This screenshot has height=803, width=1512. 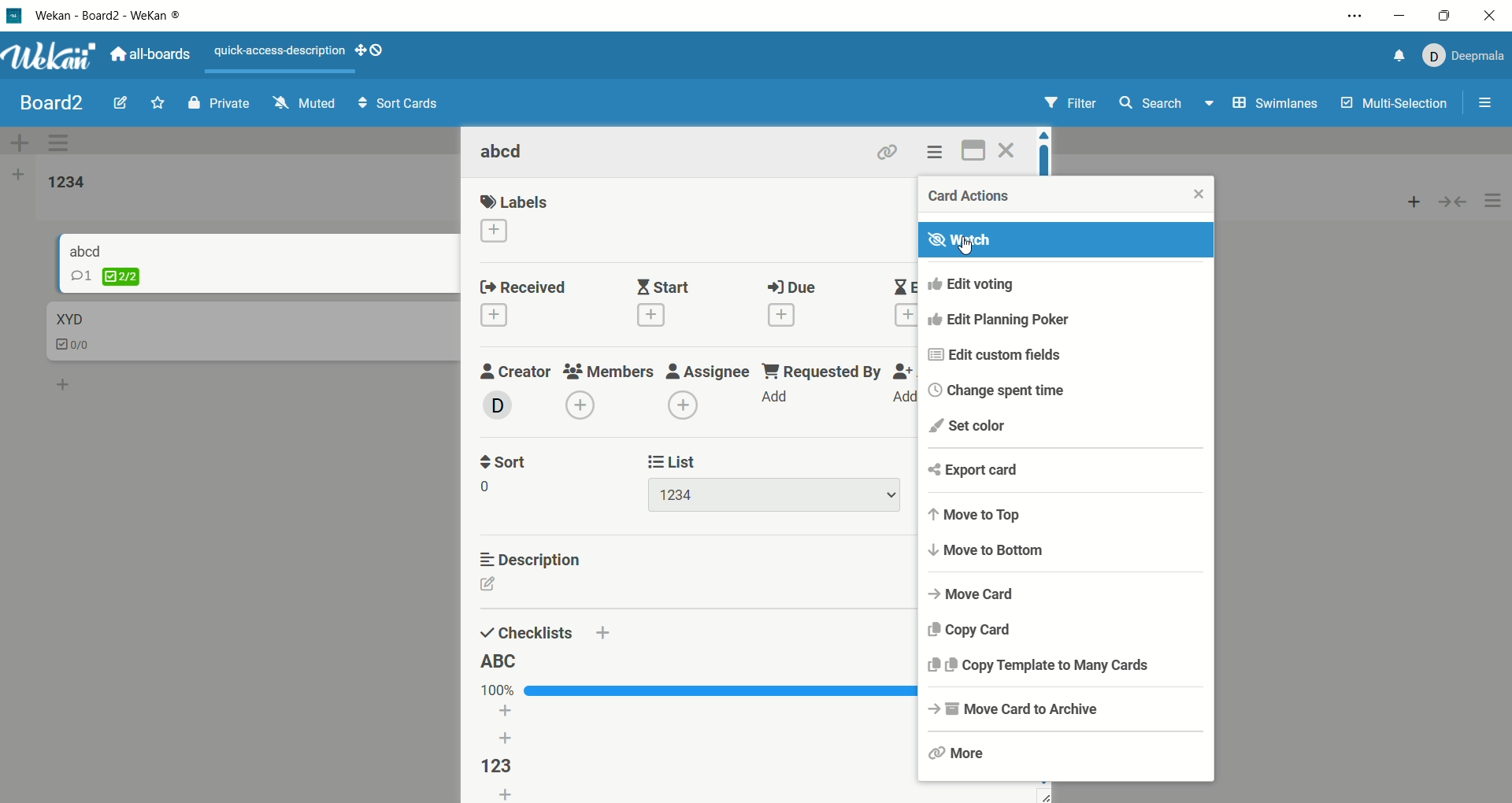 I want to click on collapse, so click(x=1454, y=203).